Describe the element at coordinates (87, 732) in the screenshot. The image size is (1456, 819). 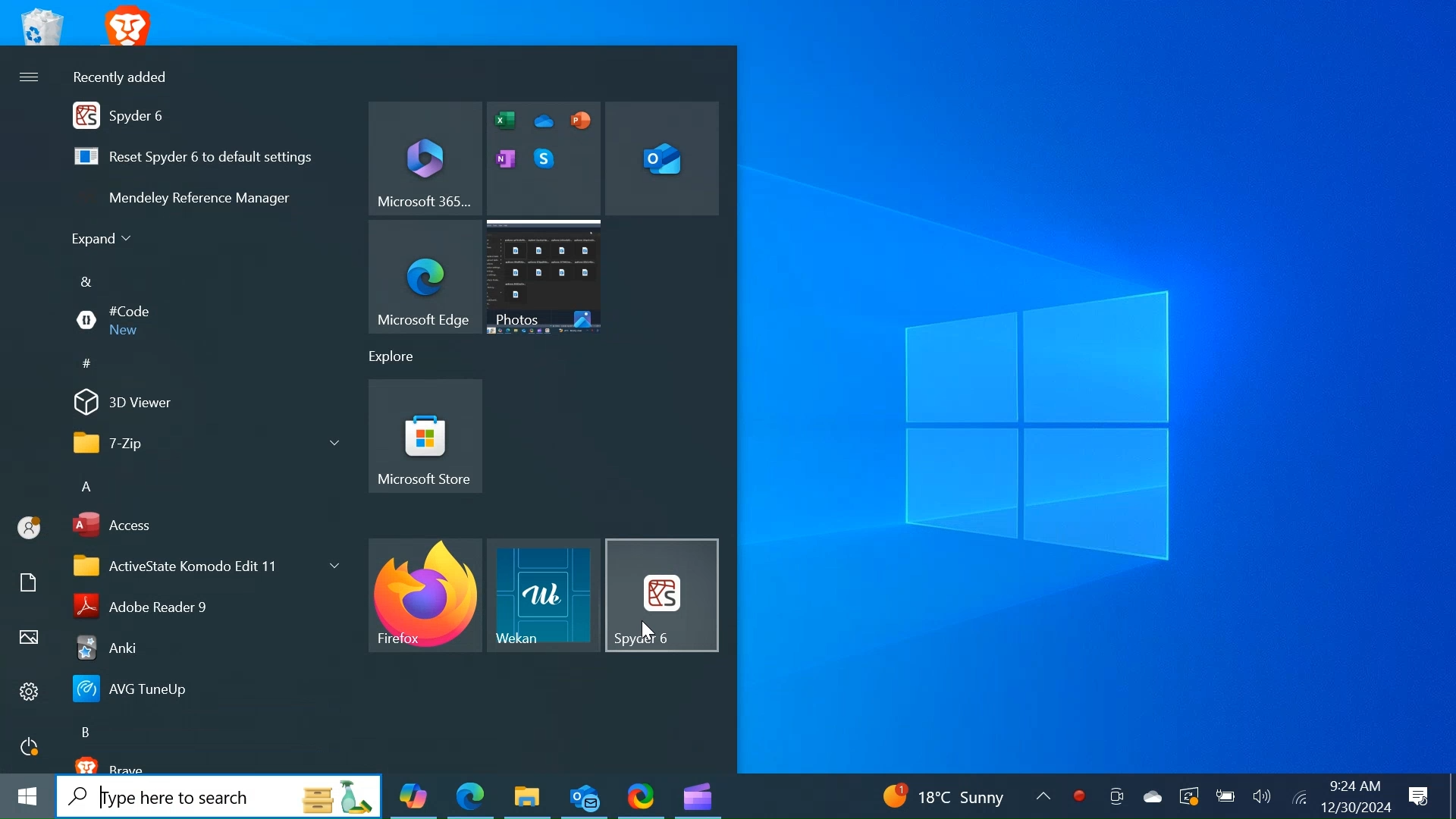
I see `B` at that location.